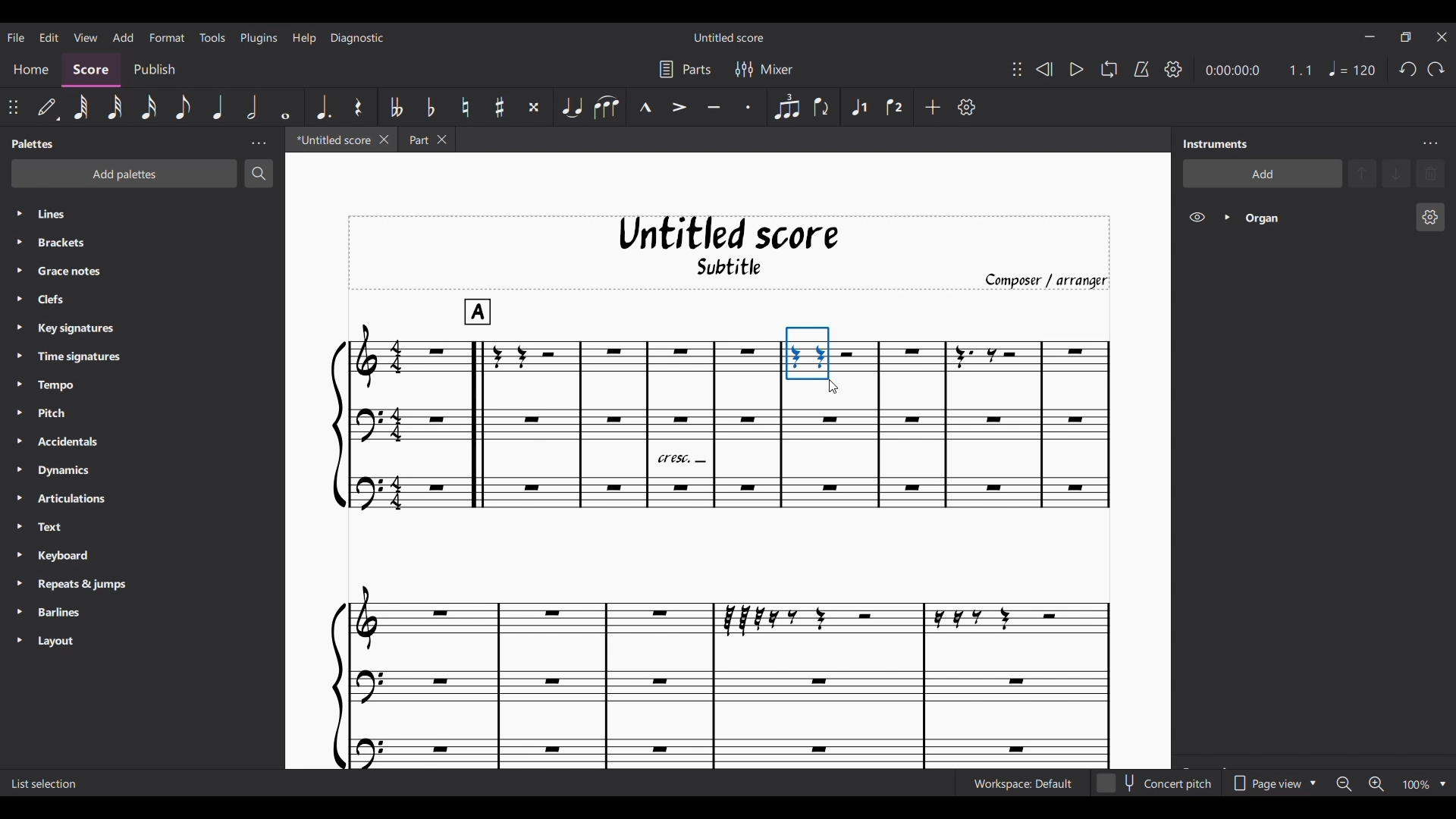  I want to click on Search, so click(259, 173).